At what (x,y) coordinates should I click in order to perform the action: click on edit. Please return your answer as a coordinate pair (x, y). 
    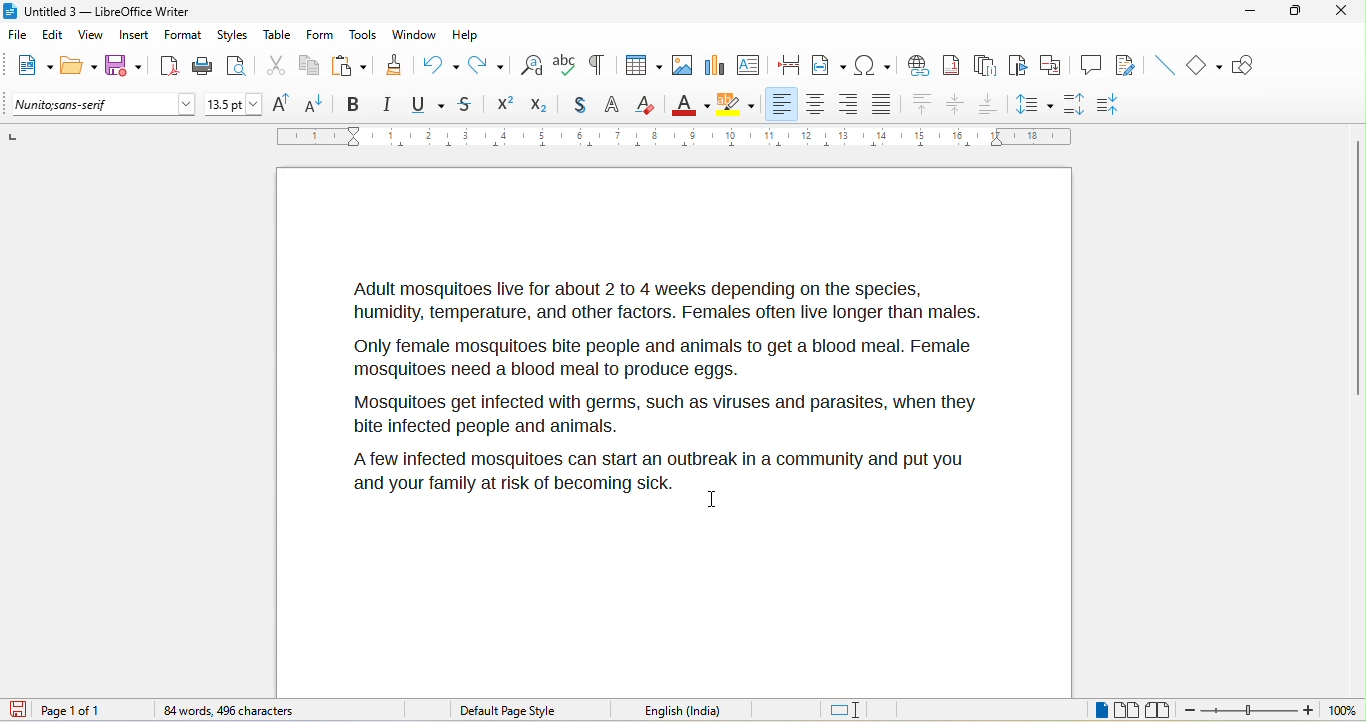
    Looking at the image, I should click on (54, 38).